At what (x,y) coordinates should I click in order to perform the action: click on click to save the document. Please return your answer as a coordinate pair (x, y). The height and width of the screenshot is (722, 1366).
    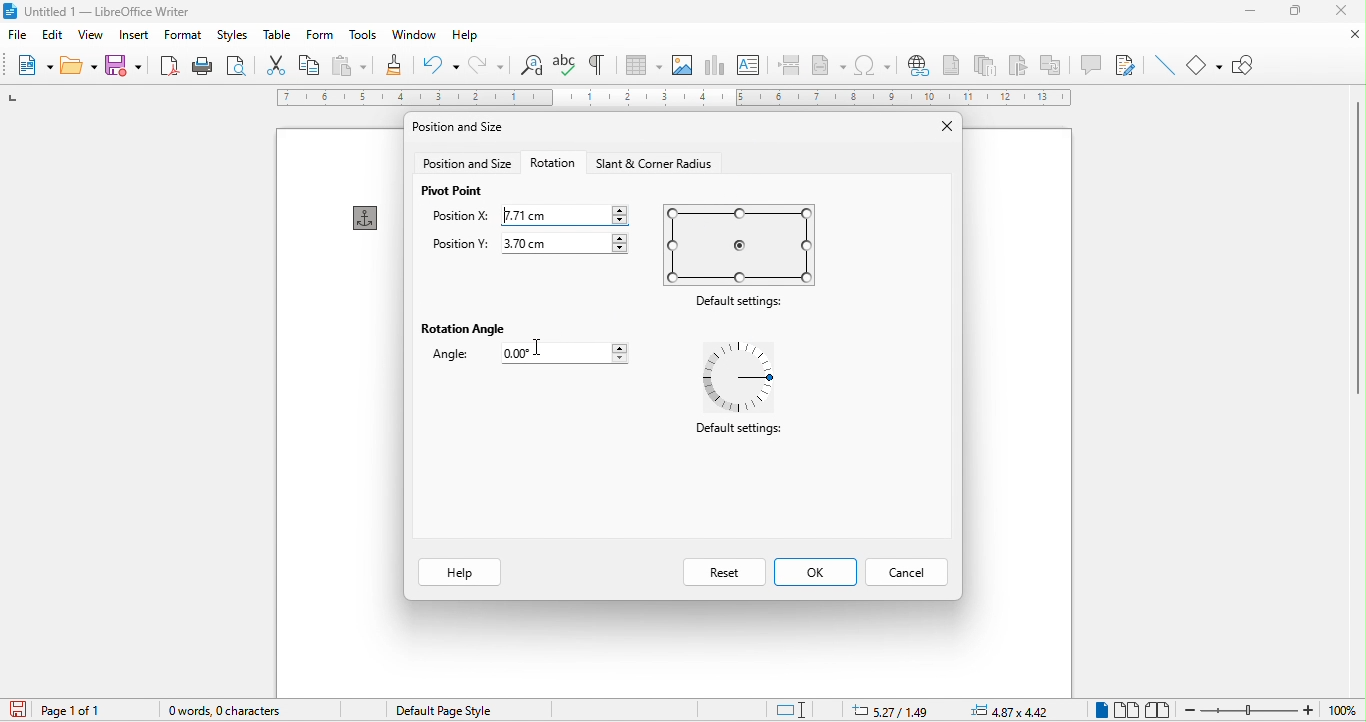
    Looking at the image, I should click on (16, 710).